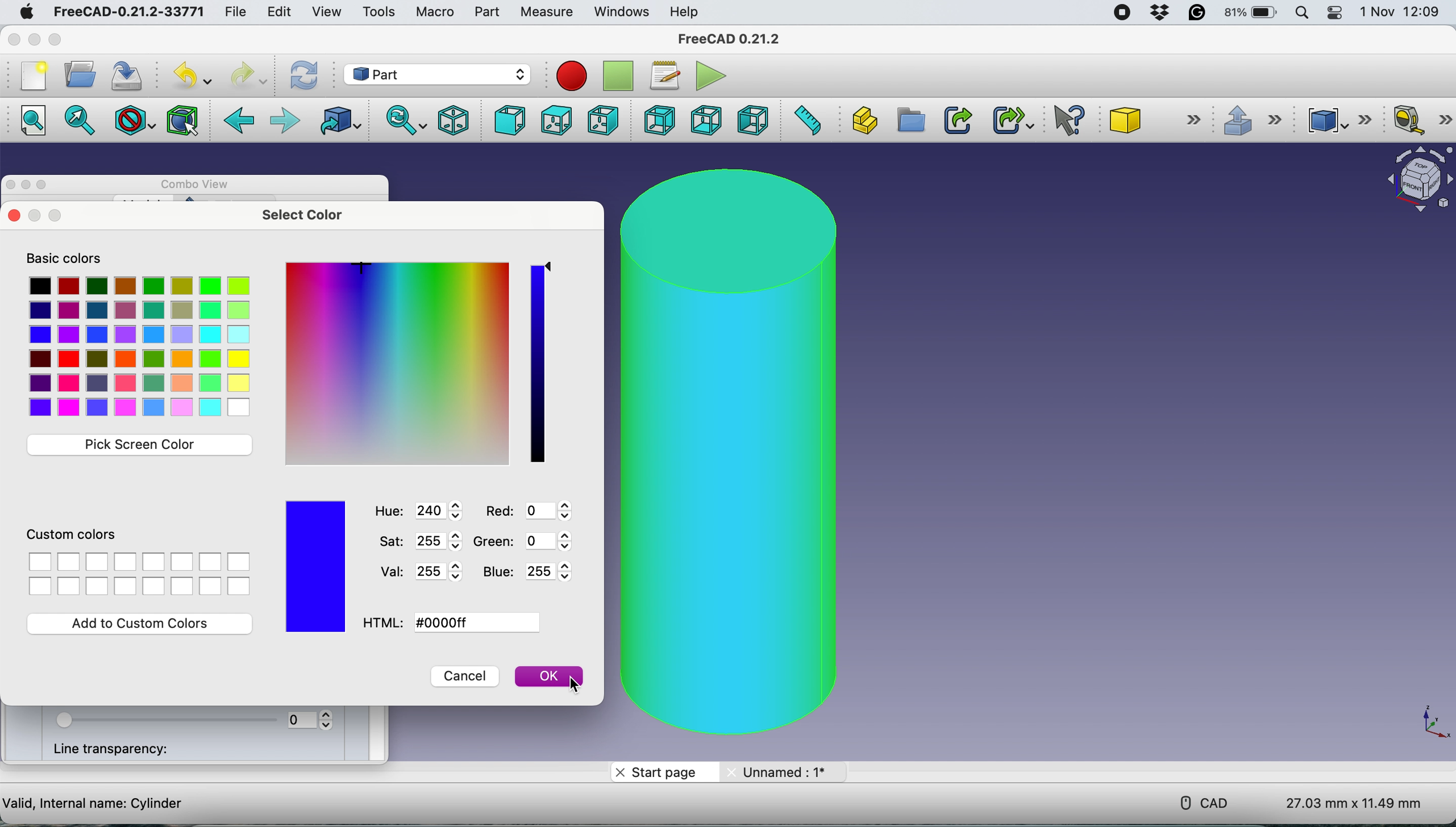  Describe the element at coordinates (94, 804) in the screenshot. I see `cylinder details` at that location.